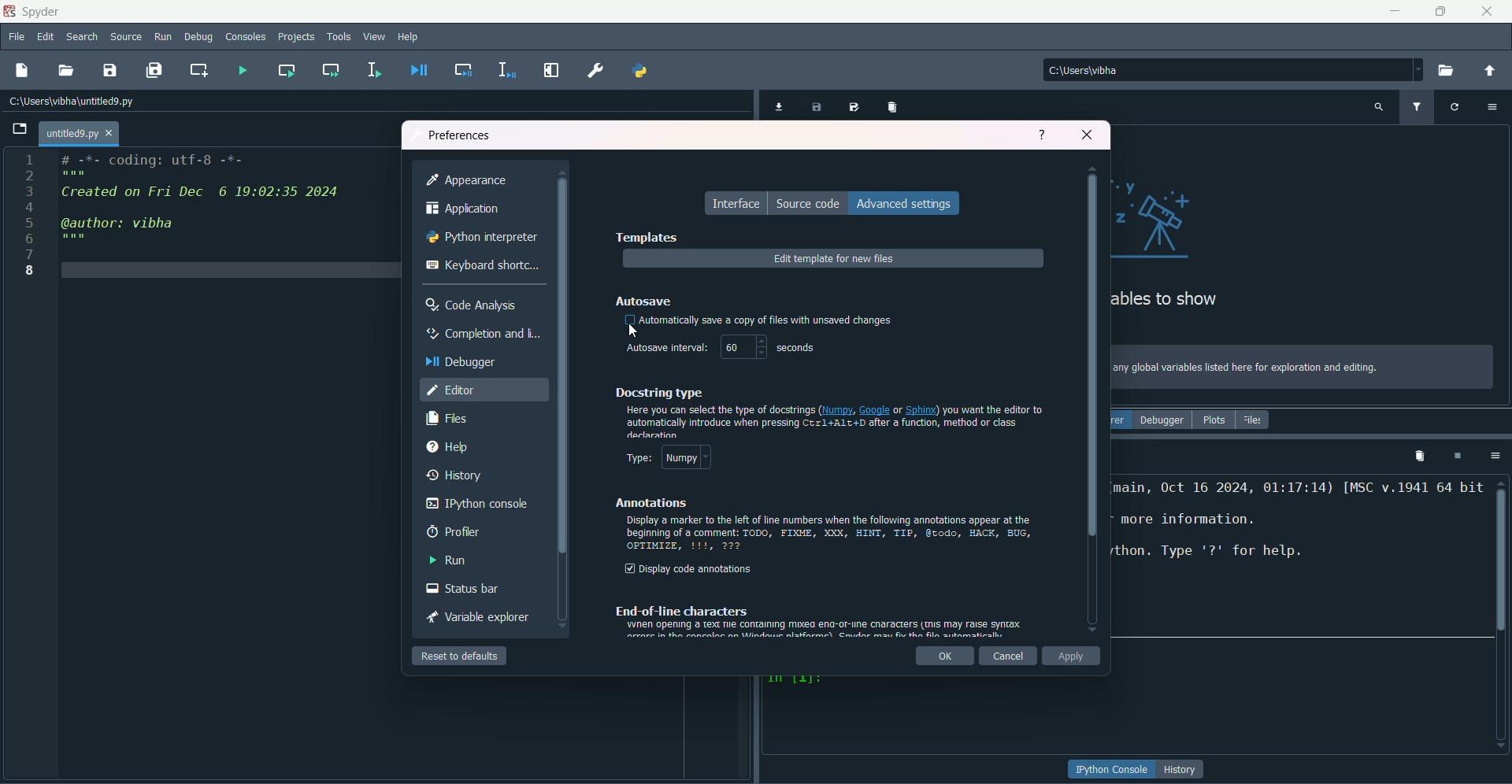 This screenshot has width=1512, height=784. I want to click on apply, so click(1073, 656).